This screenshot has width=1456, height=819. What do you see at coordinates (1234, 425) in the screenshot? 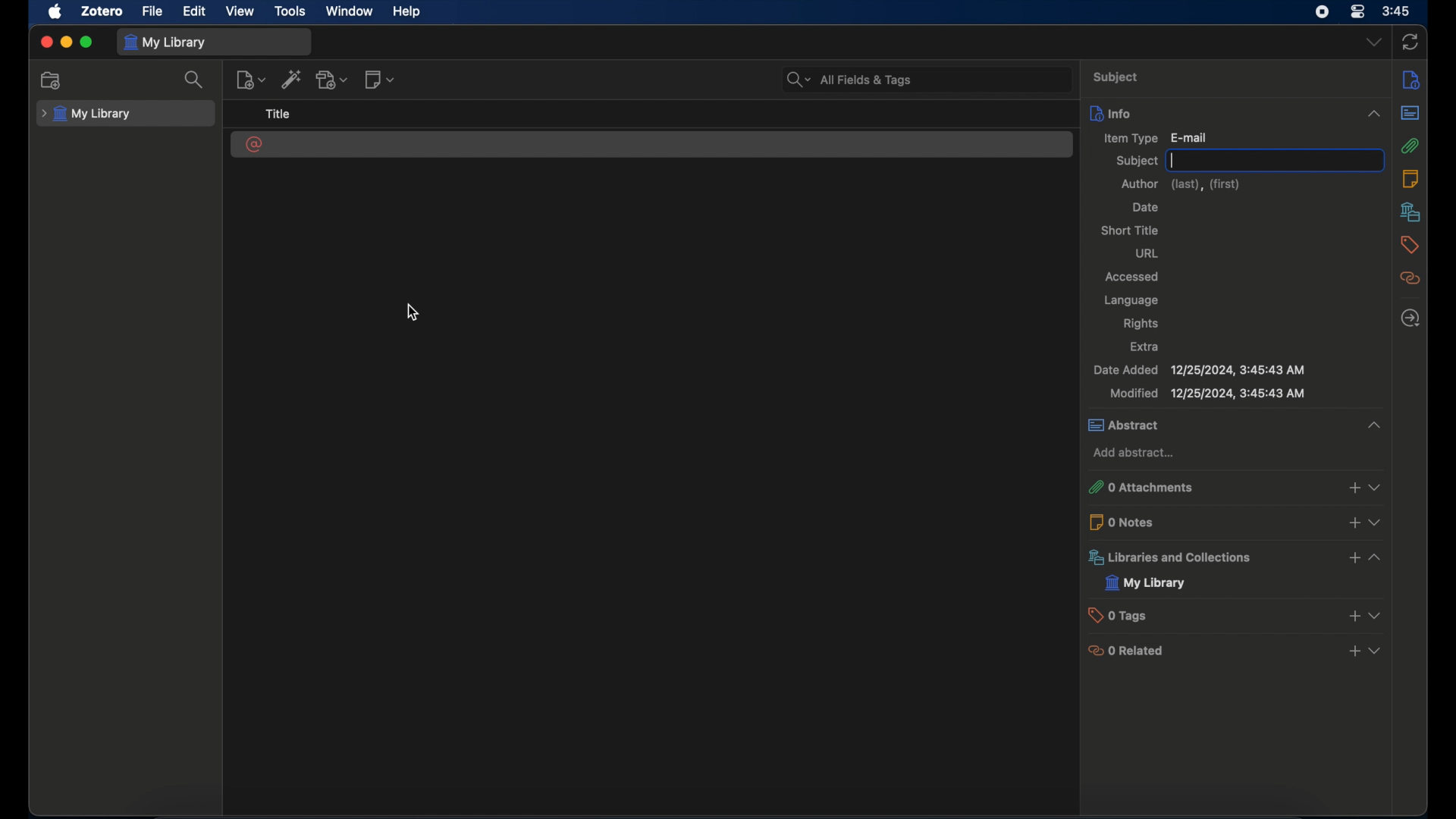
I see `abstract` at bounding box center [1234, 425].